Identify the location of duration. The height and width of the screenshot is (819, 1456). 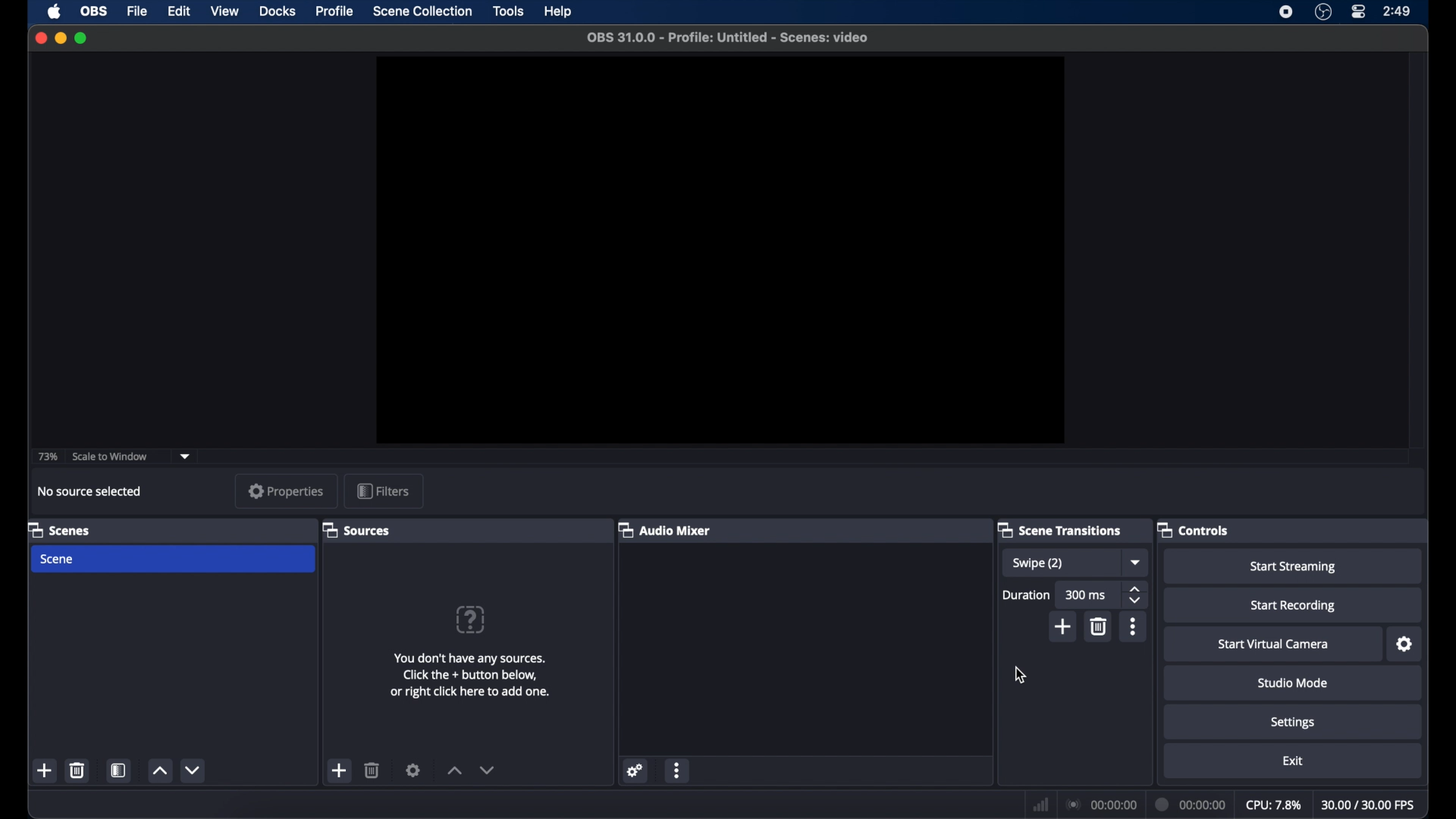
(1188, 803).